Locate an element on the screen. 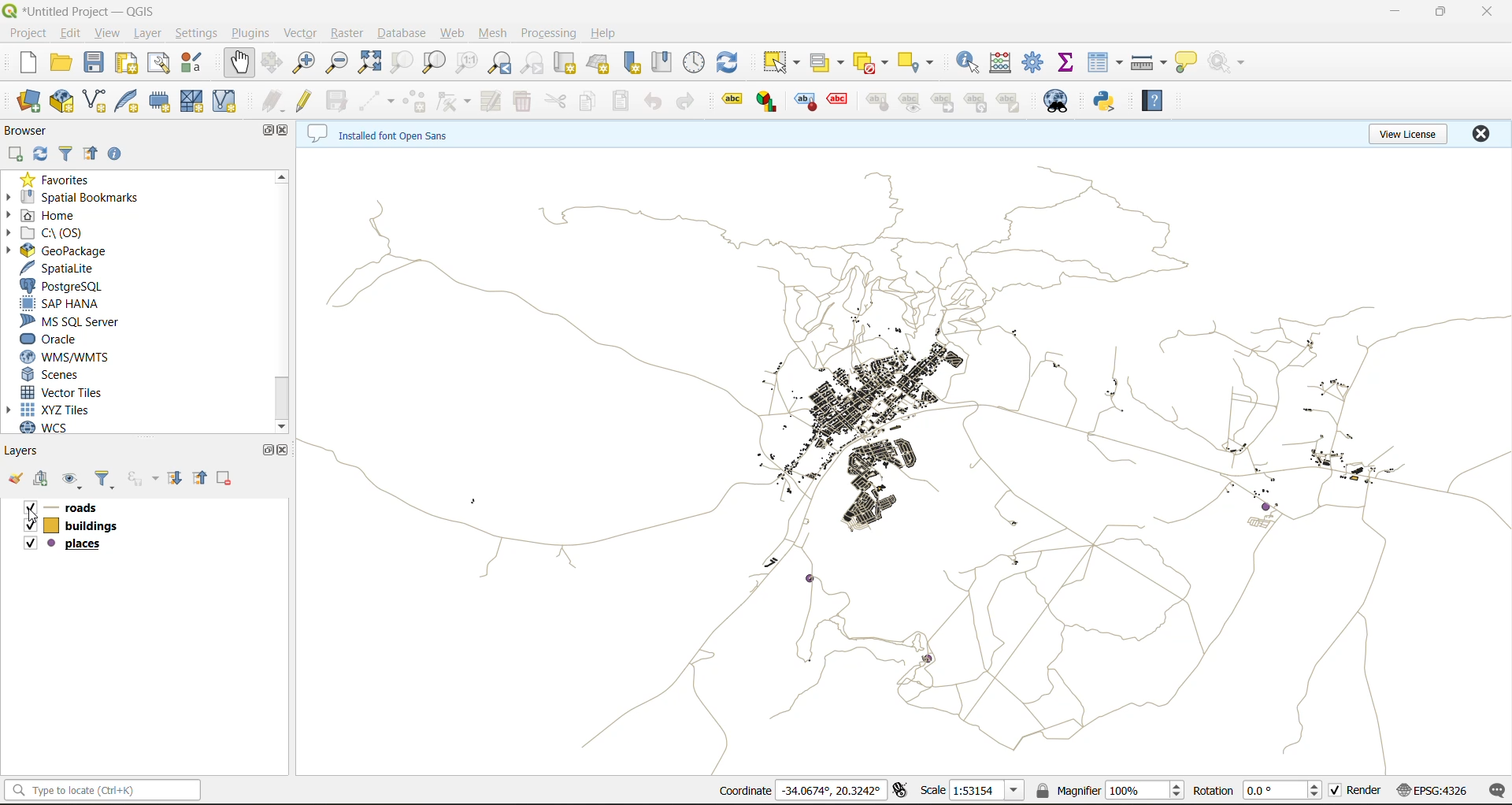  labels toolbar 6 is located at coordinates (910, 103).